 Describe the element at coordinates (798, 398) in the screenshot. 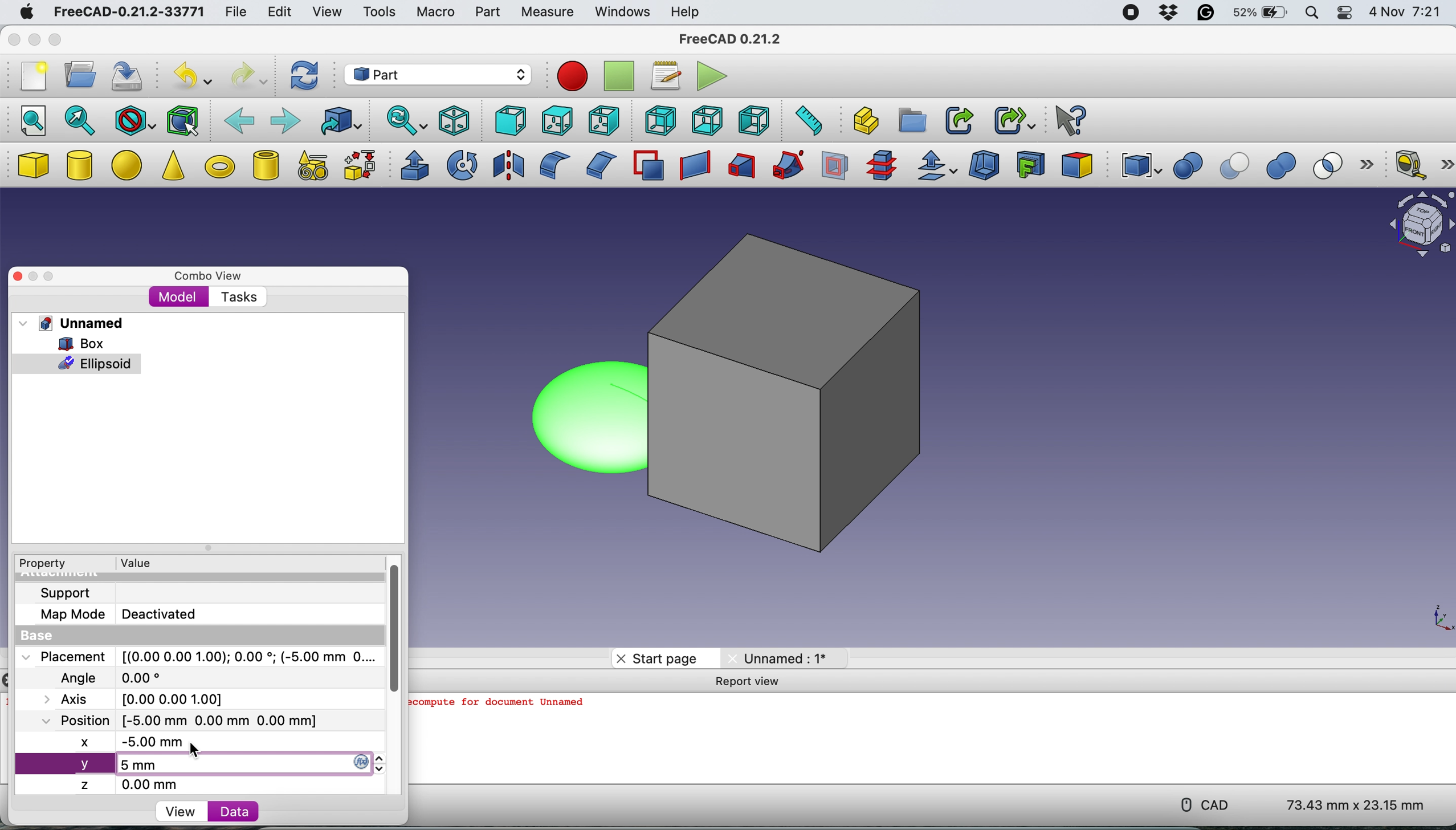

I see `box` at that location.